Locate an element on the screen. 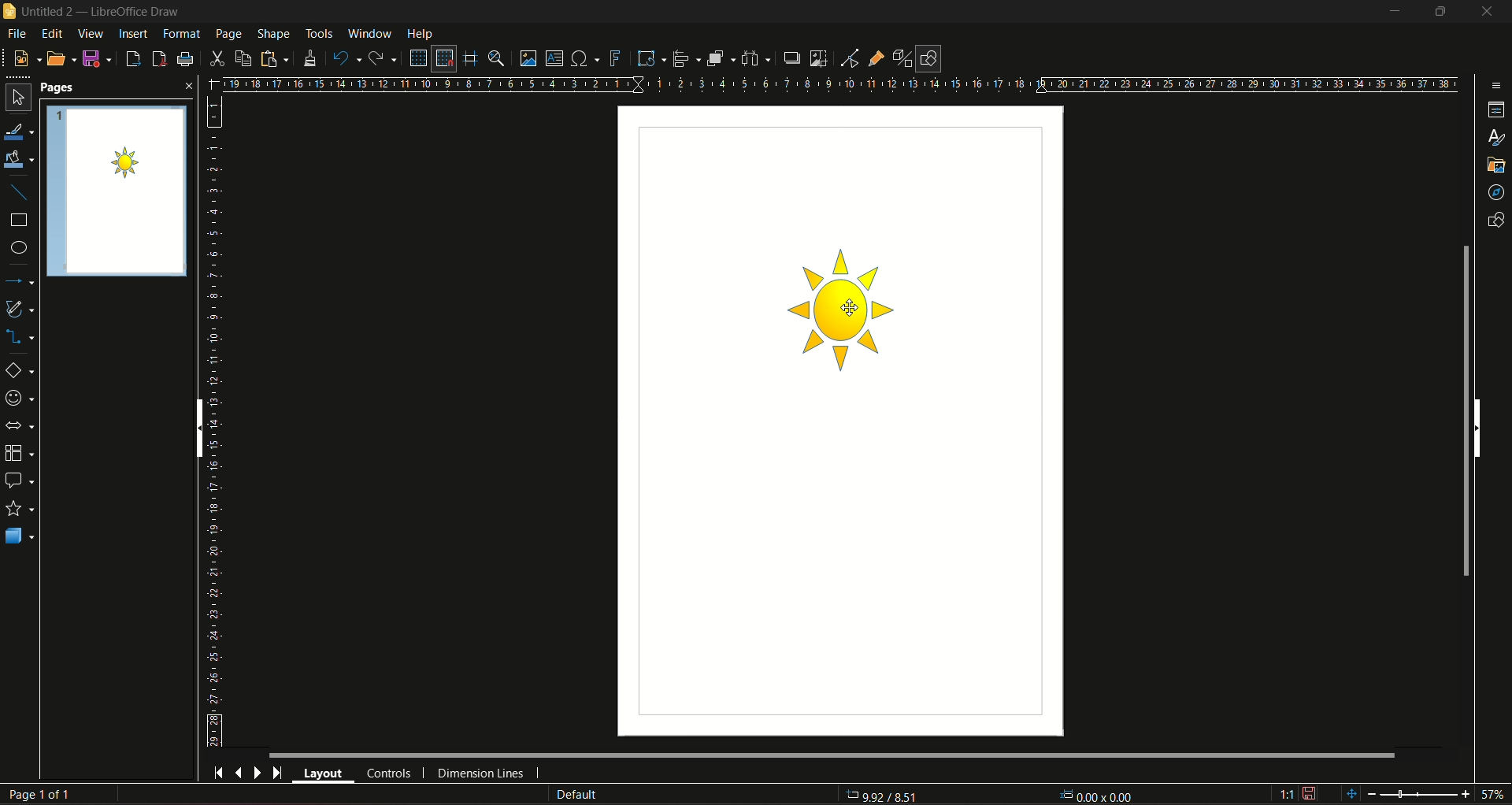 Image resolution: width=1512 pixels, height=805 pixels. shape is located at coordinates (272, 34).